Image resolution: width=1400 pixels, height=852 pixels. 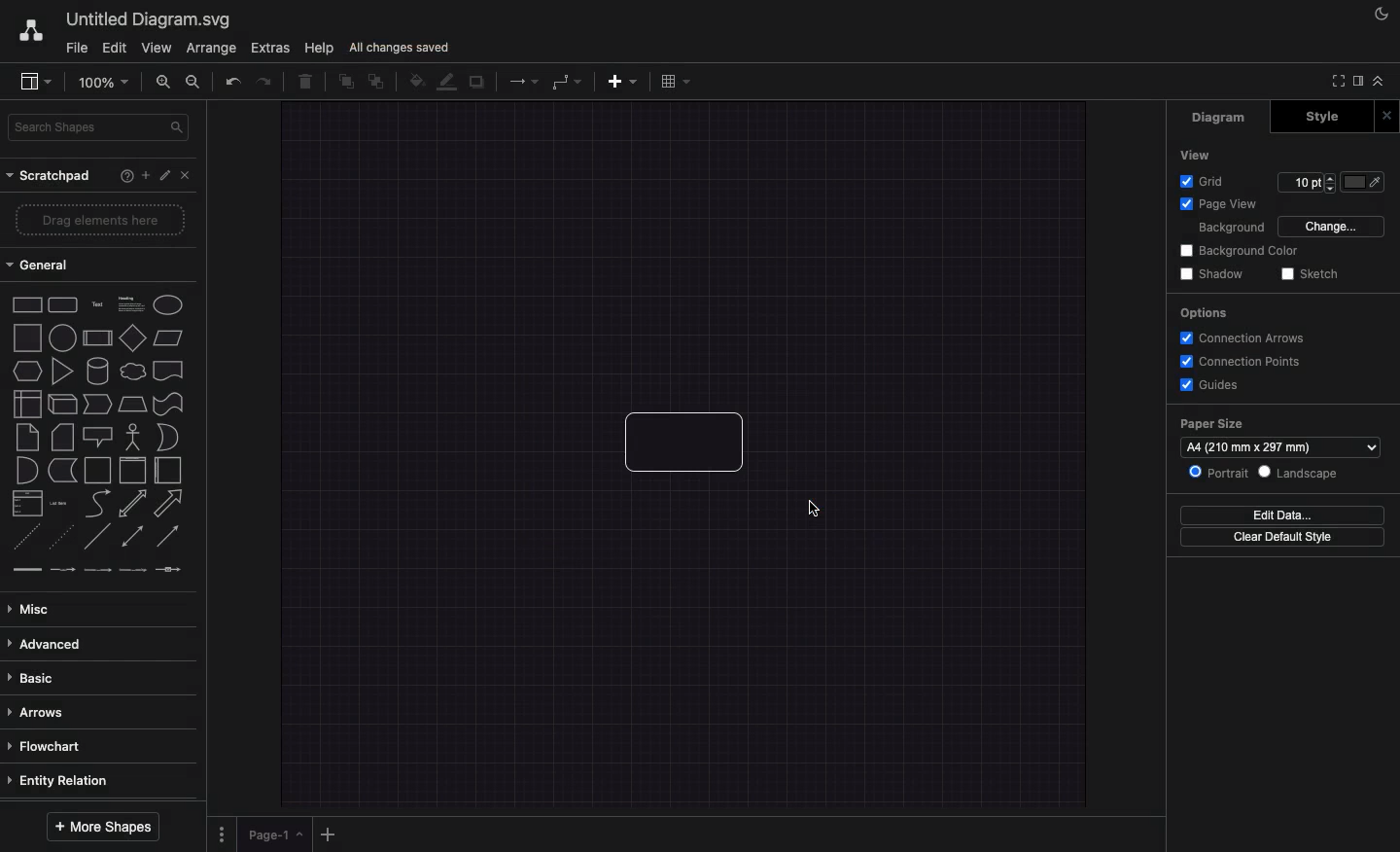 What do you see at coordinates (142, 176) in the screenshot?
I see `Add` at bounding box center [142, 176].